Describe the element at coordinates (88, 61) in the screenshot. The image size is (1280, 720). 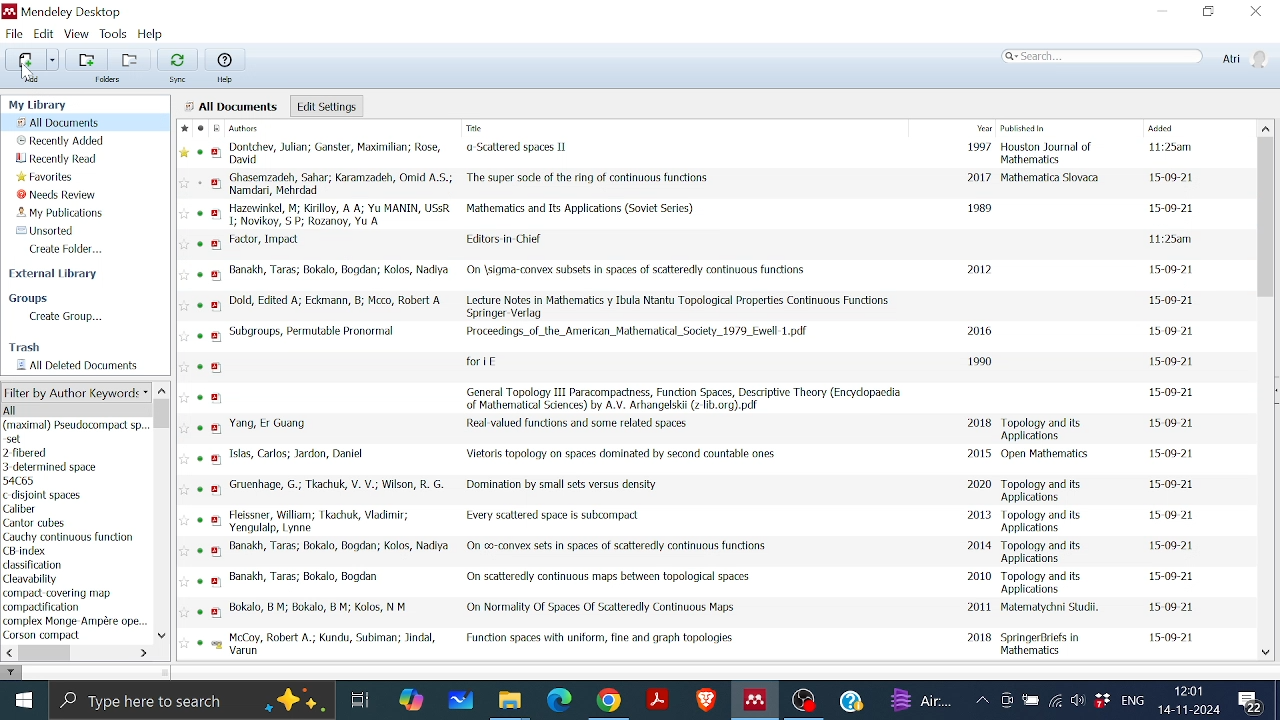
I see `Add folder` at that location.